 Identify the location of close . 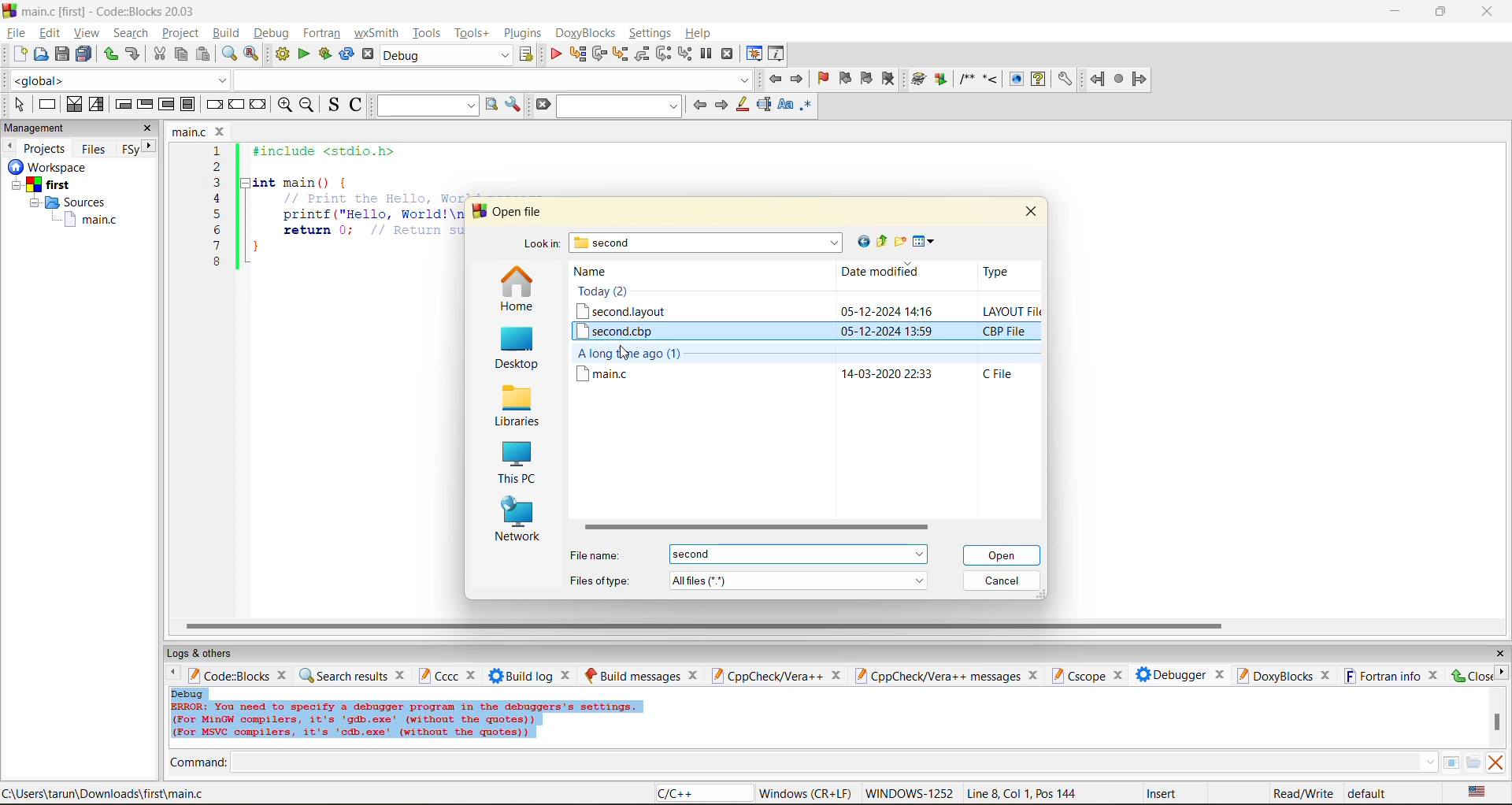
(1489, 12).